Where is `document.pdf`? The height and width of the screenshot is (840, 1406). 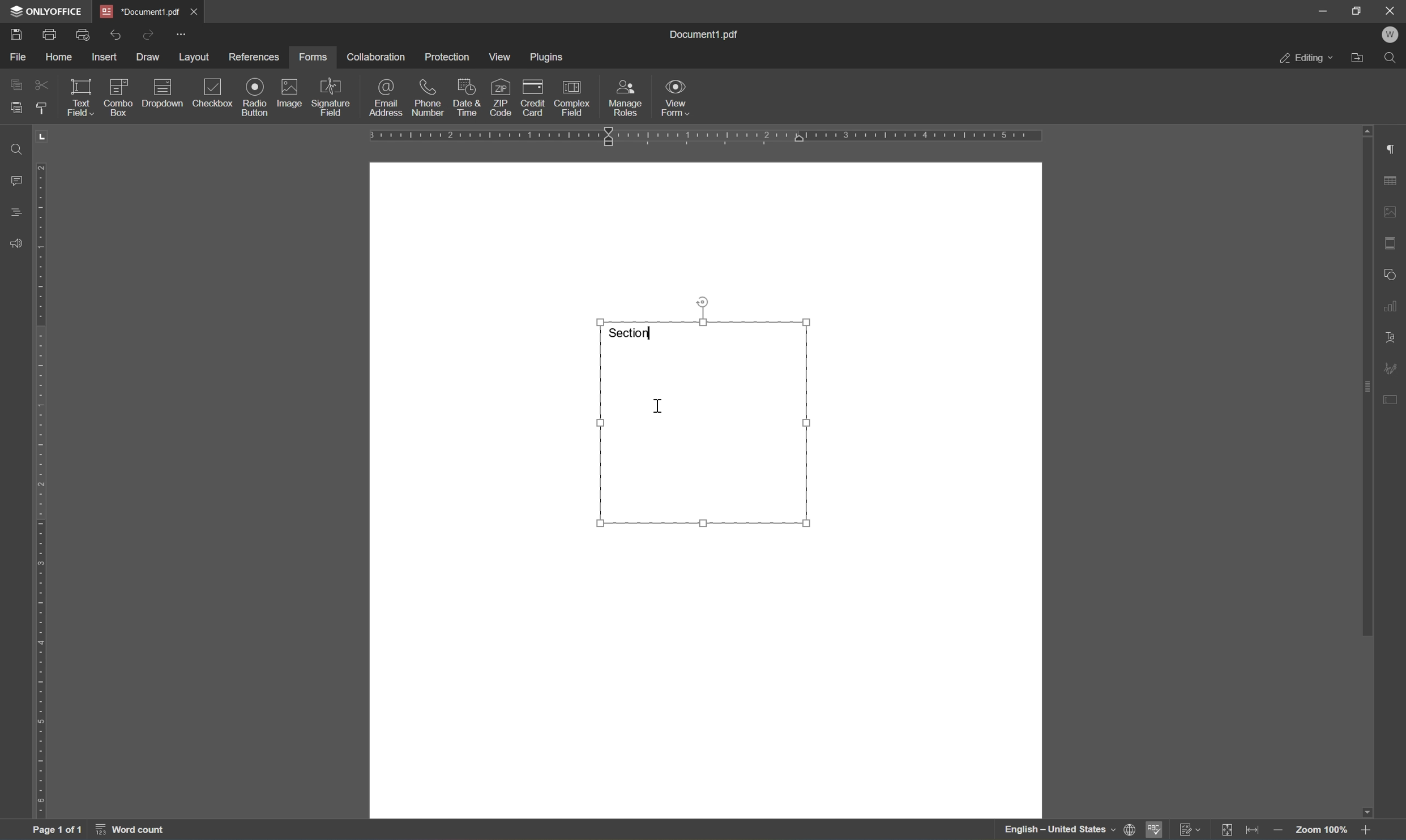
document.pdf is located at coordinates (710, 34).